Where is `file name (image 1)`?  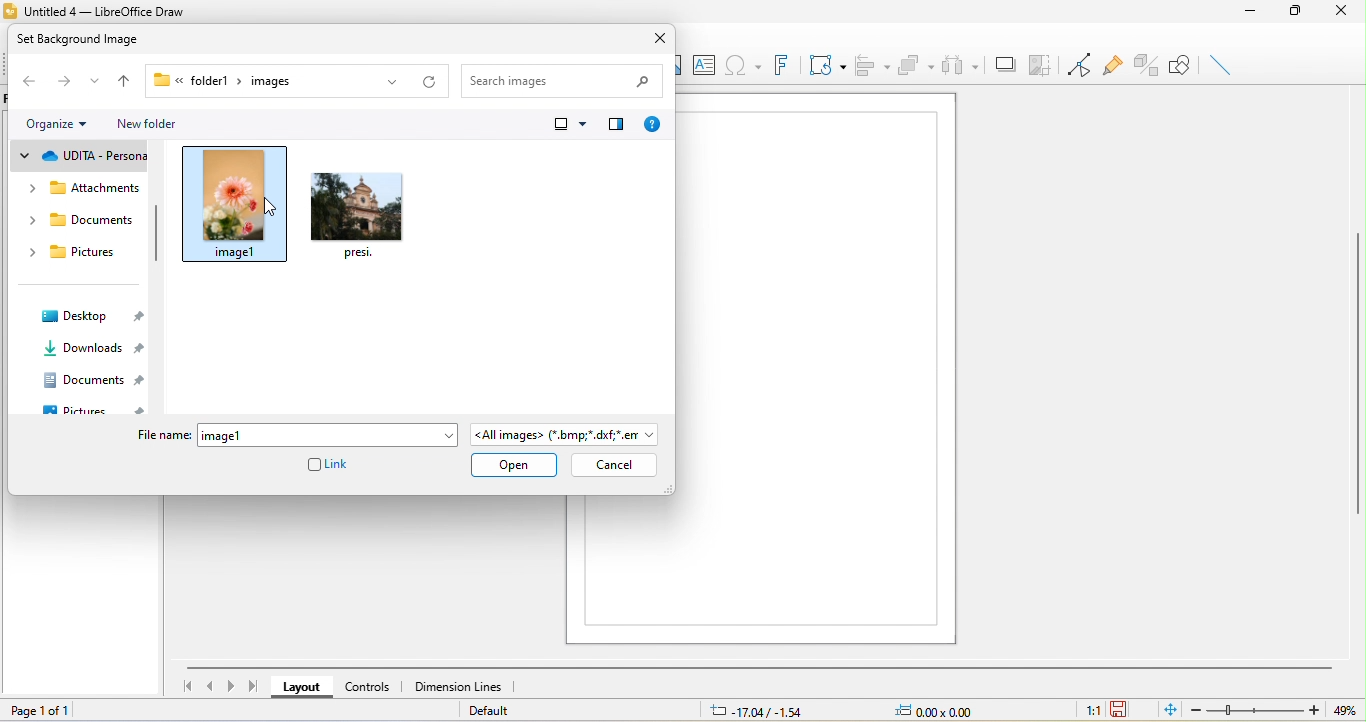 file name (image 1) is located at coordinates (298, 439).